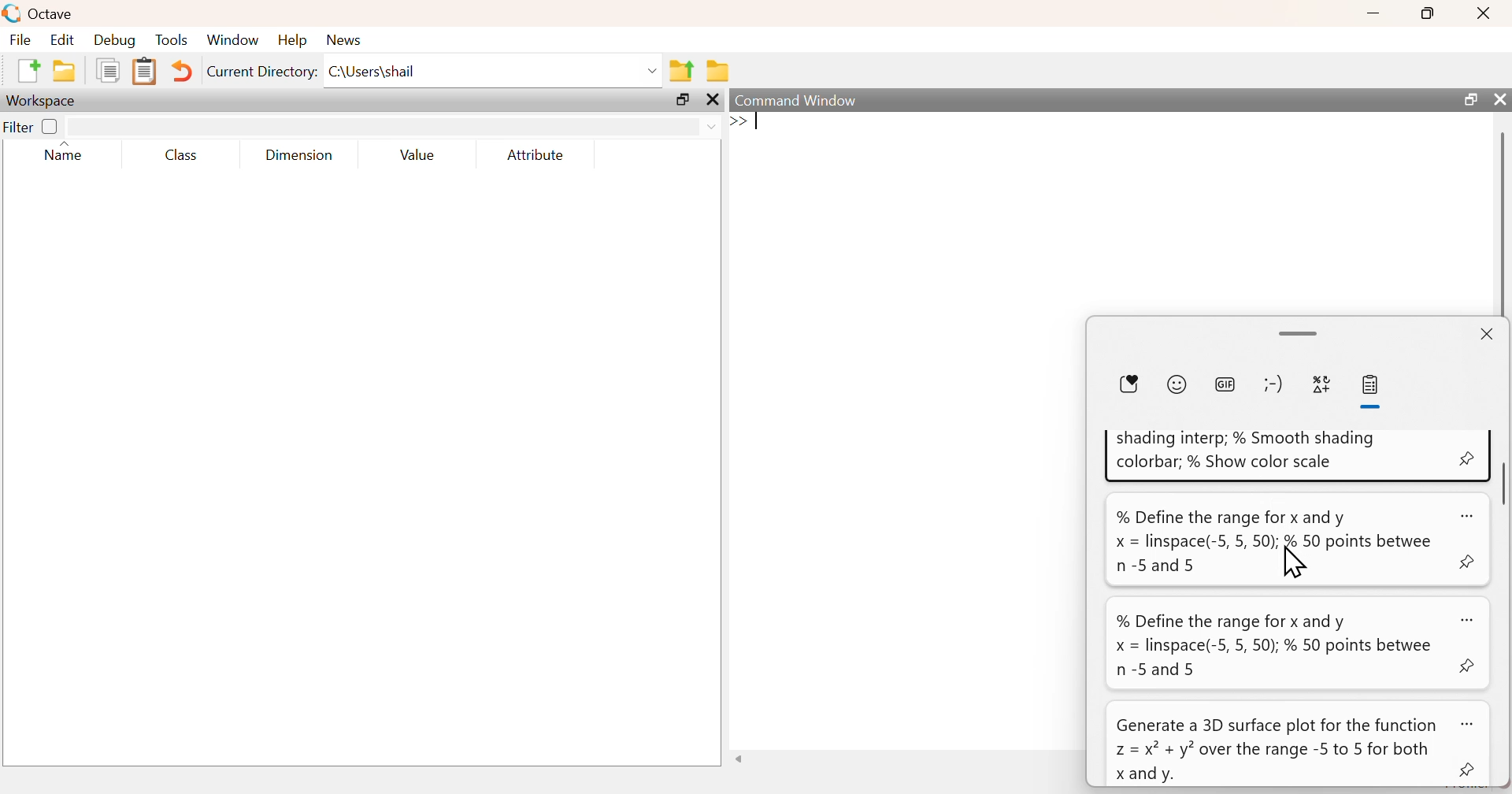 The image size is (1512, 794). I want to click on close, so click(713, 100).